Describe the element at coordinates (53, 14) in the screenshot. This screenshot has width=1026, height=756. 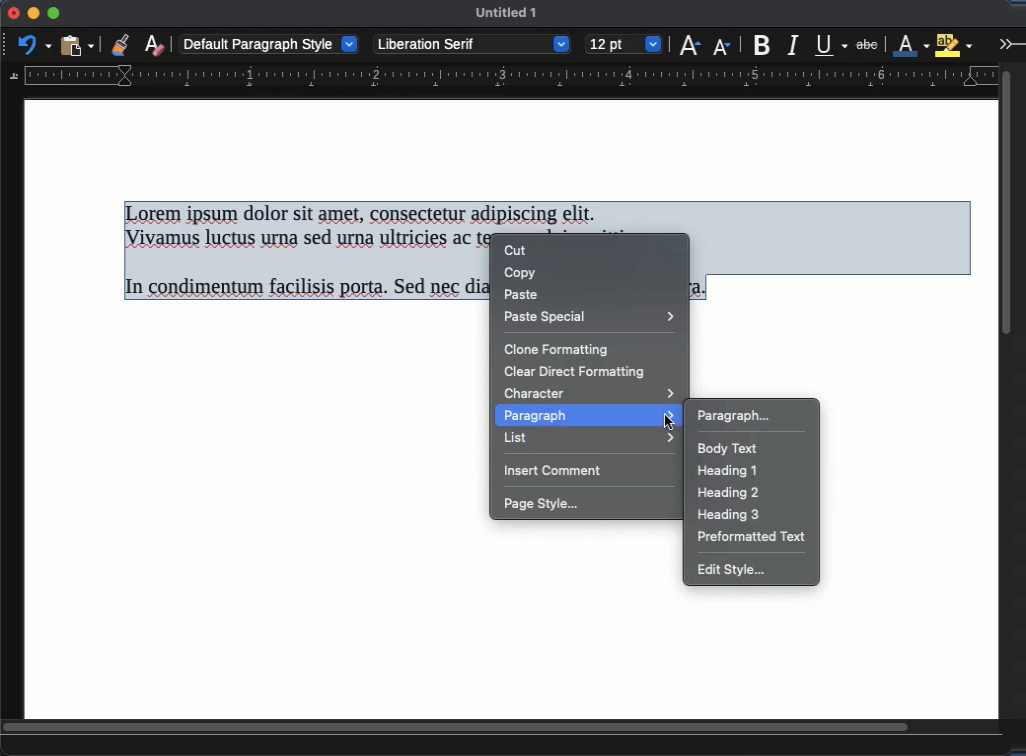
I see `maximize ` at that location.